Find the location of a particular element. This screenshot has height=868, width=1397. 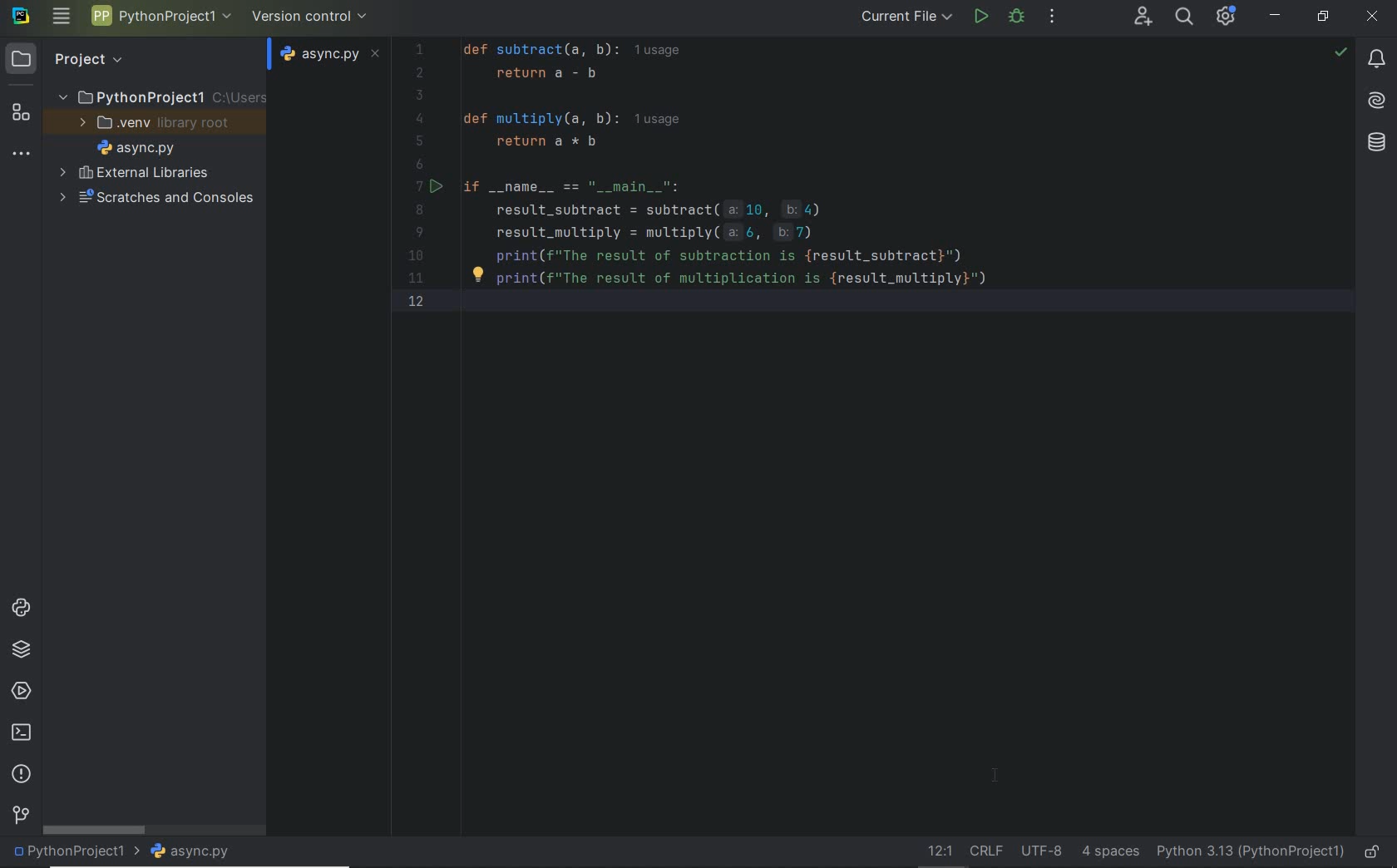

file name is located at coordinates (140, 150).